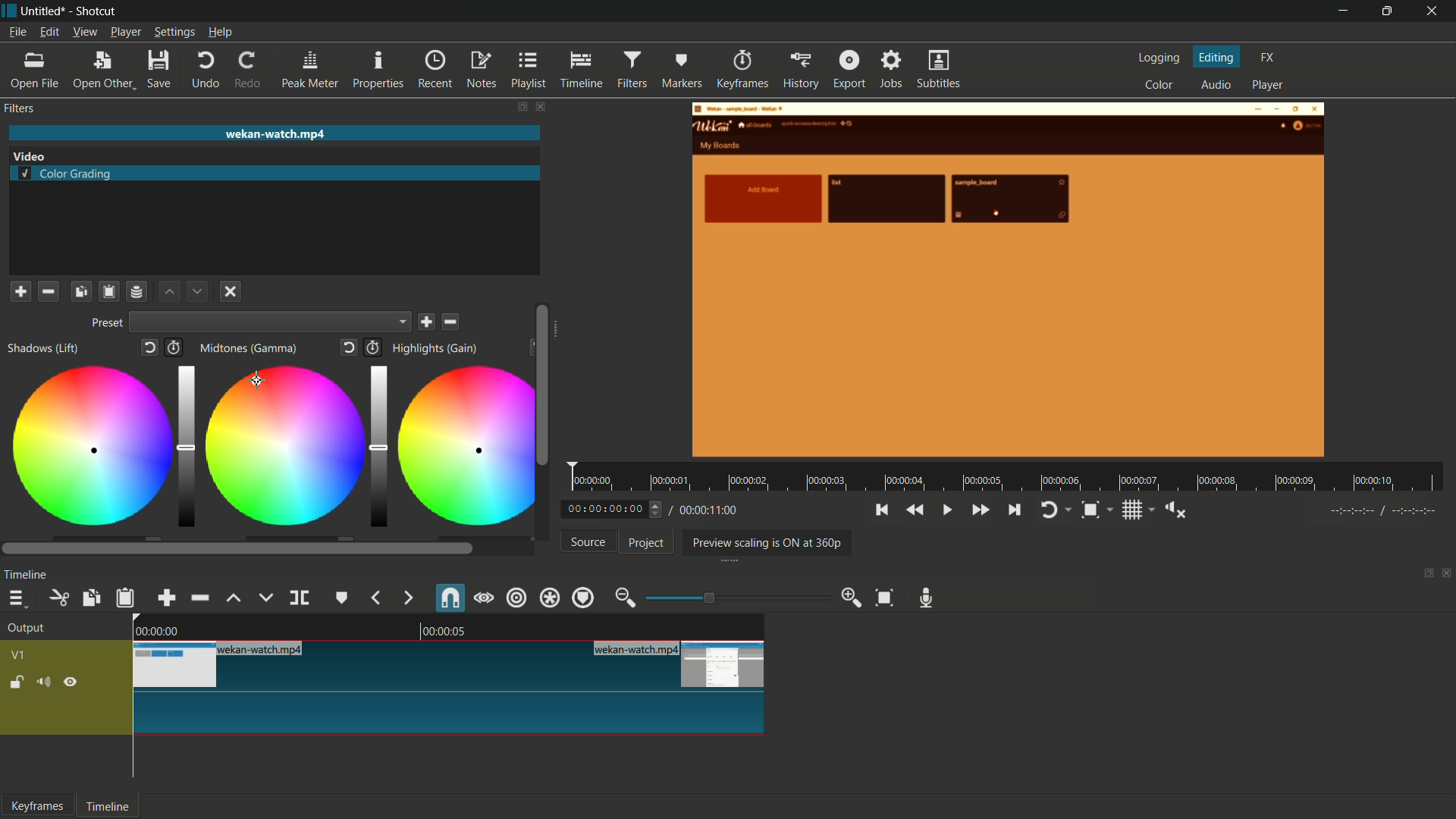 Image resolution: width=1456 pixels, height=819 pixels. Describe the element at coordinates (1217, 57) in the screenshot. I see `editing` at that location.